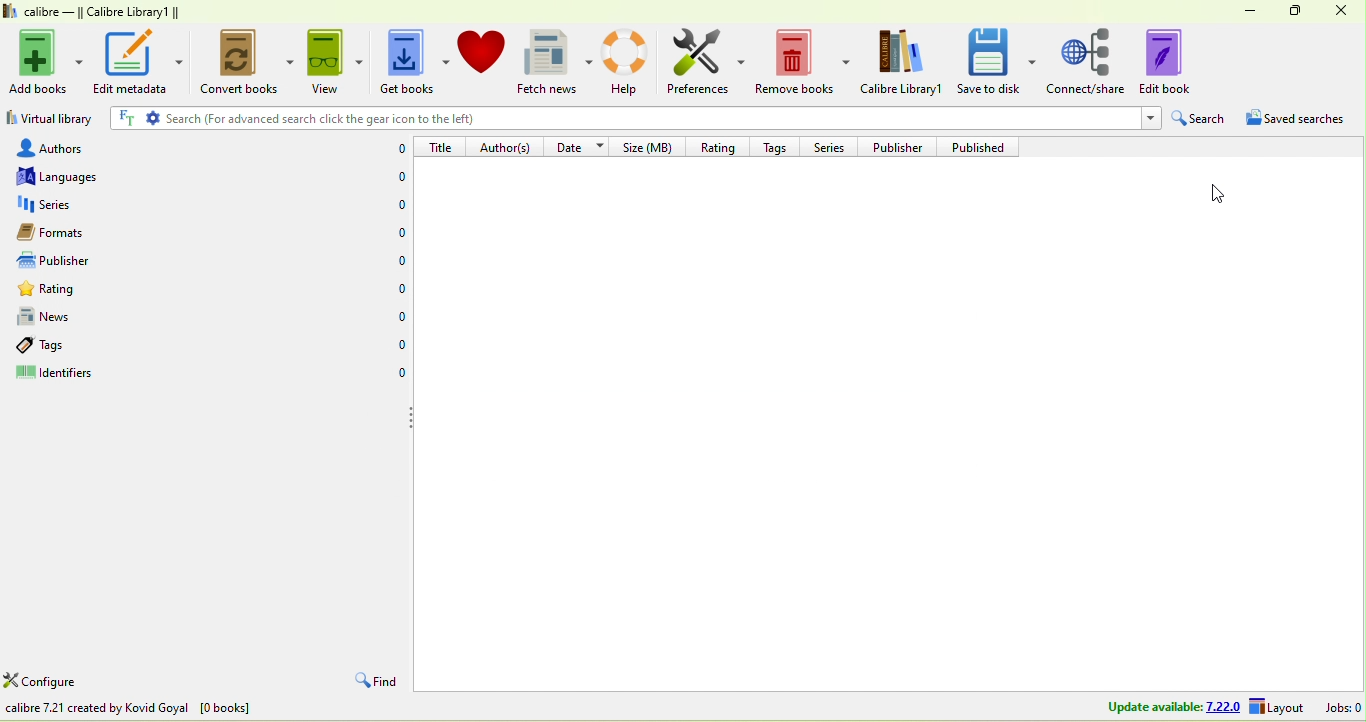 The height and width of the screenshot is (722, 1366). Describe the element at coordinates (390, 179) in the screenshot. I see `0` at that location.